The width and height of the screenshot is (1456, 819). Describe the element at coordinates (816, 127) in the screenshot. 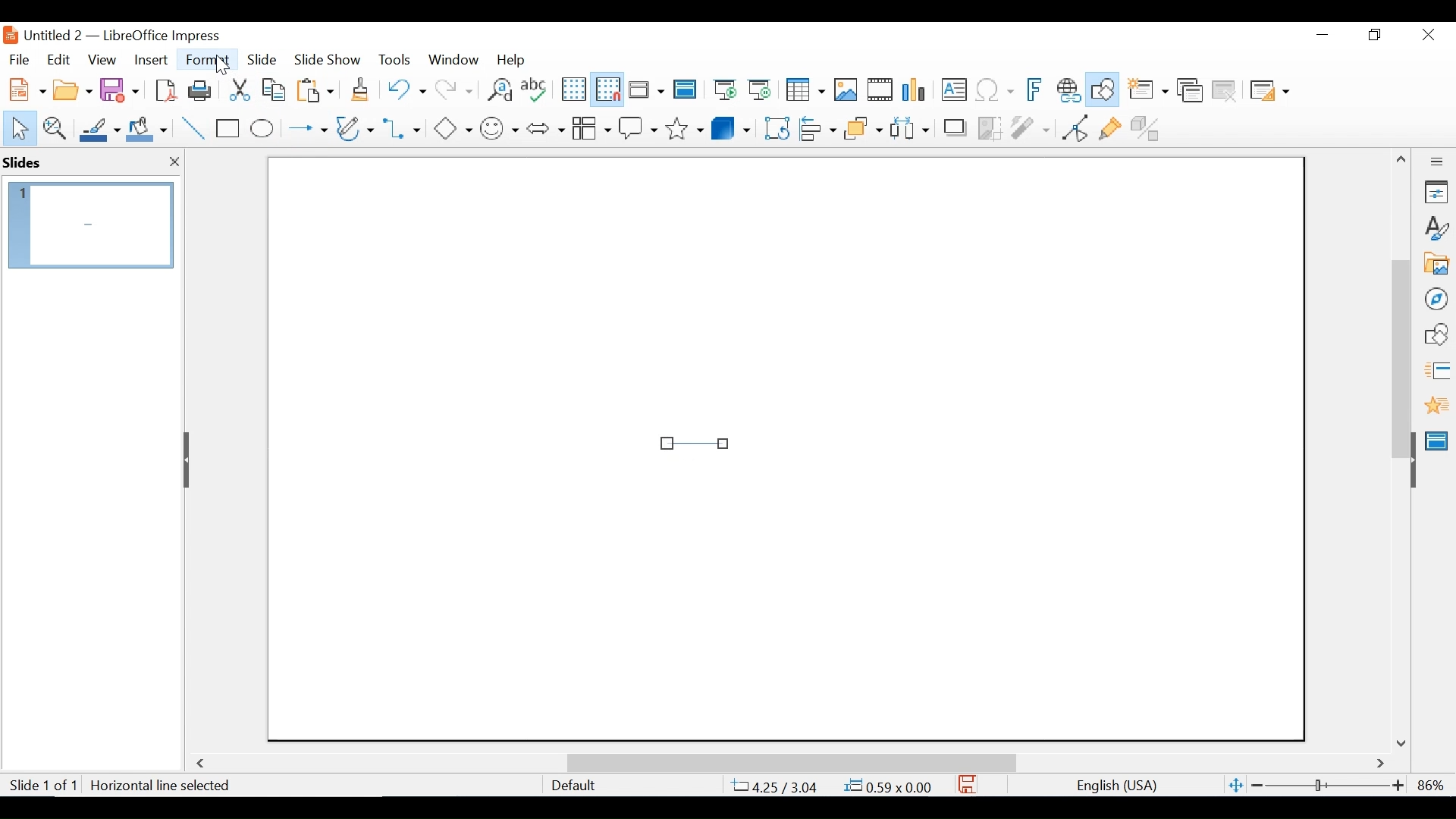

I see `Align Objects` at that location.